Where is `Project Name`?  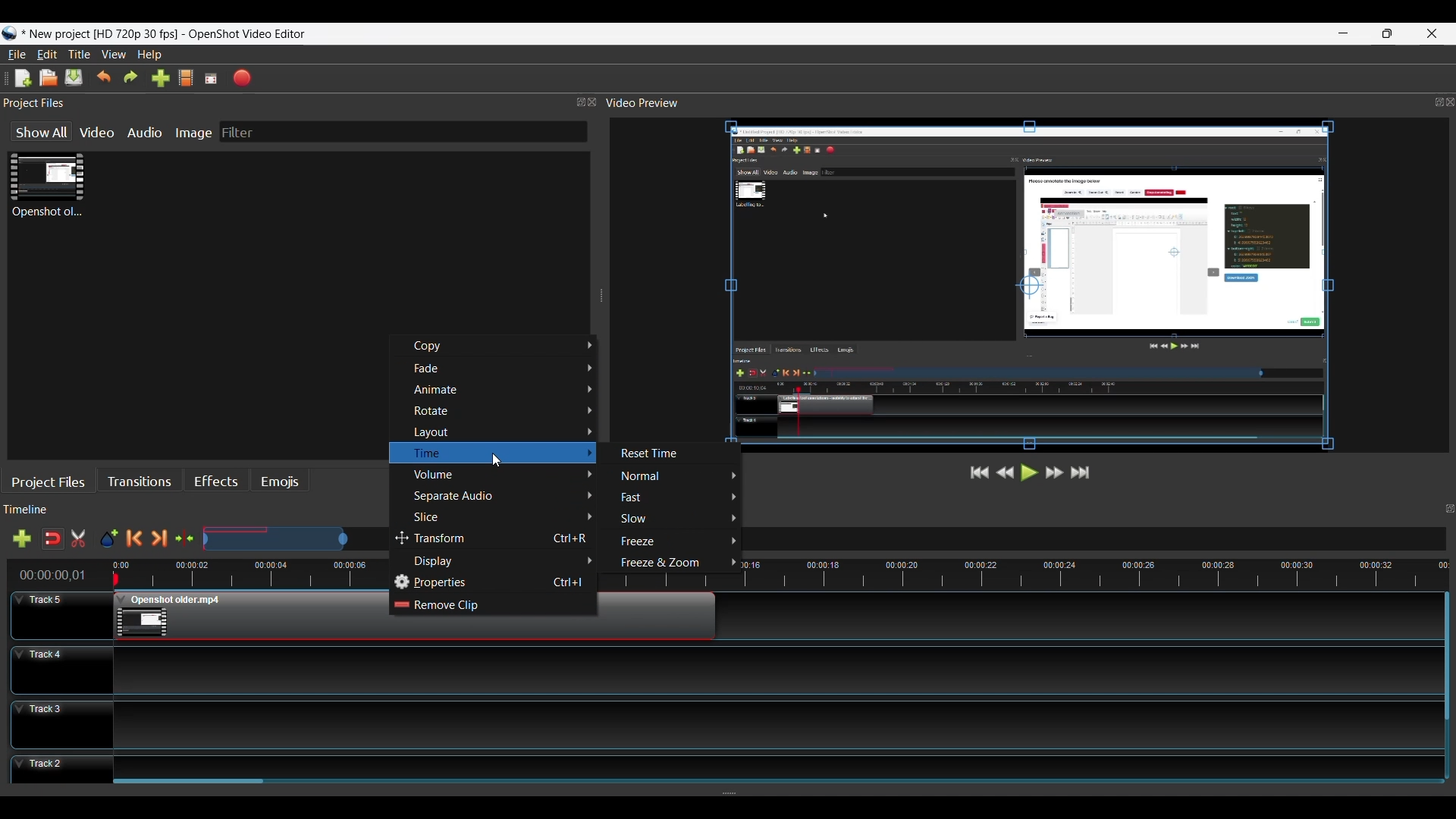 Project Name is located at coordinates (102, 35).